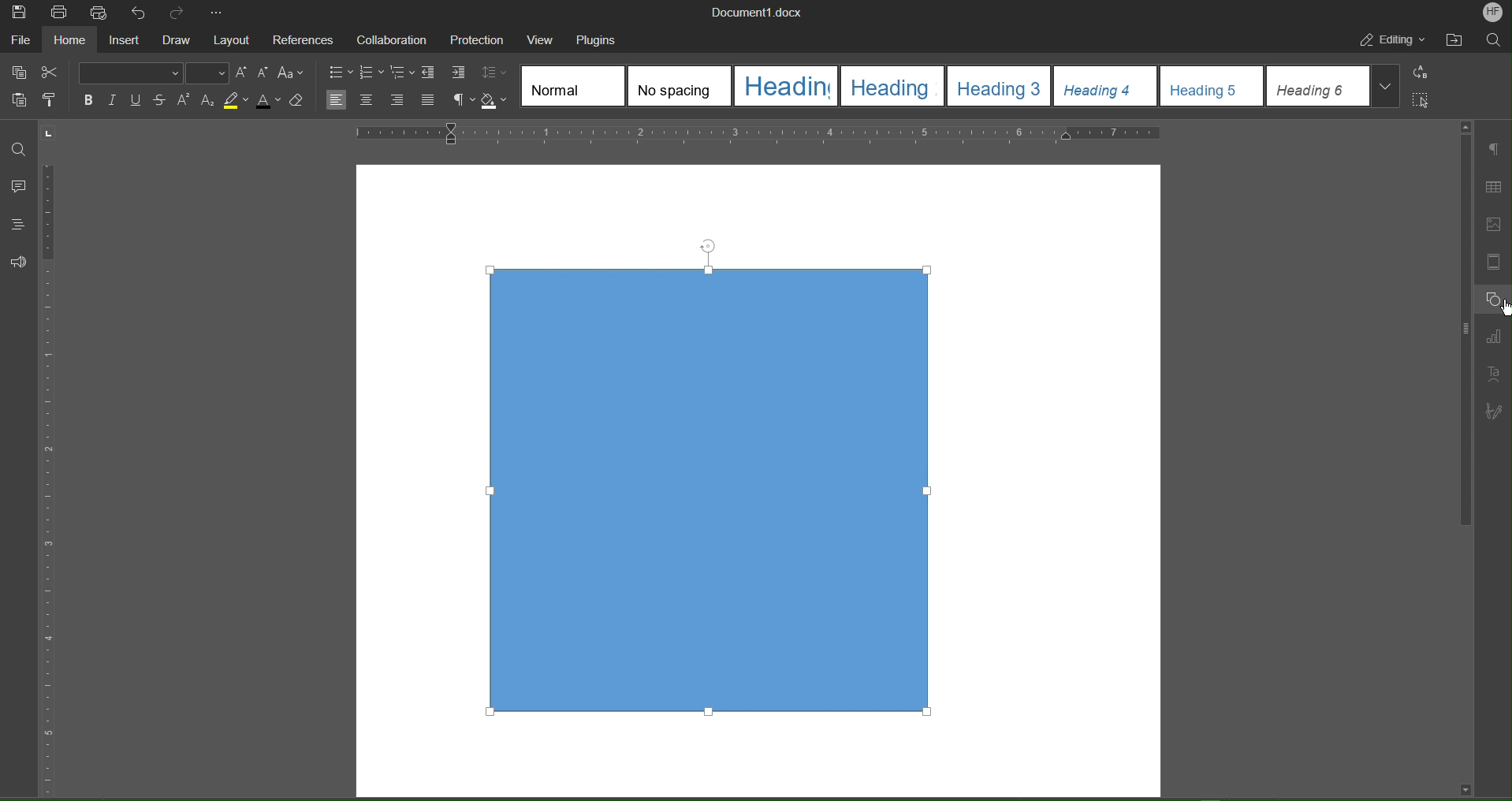  I want to click on Signature, so click(1494, 412).